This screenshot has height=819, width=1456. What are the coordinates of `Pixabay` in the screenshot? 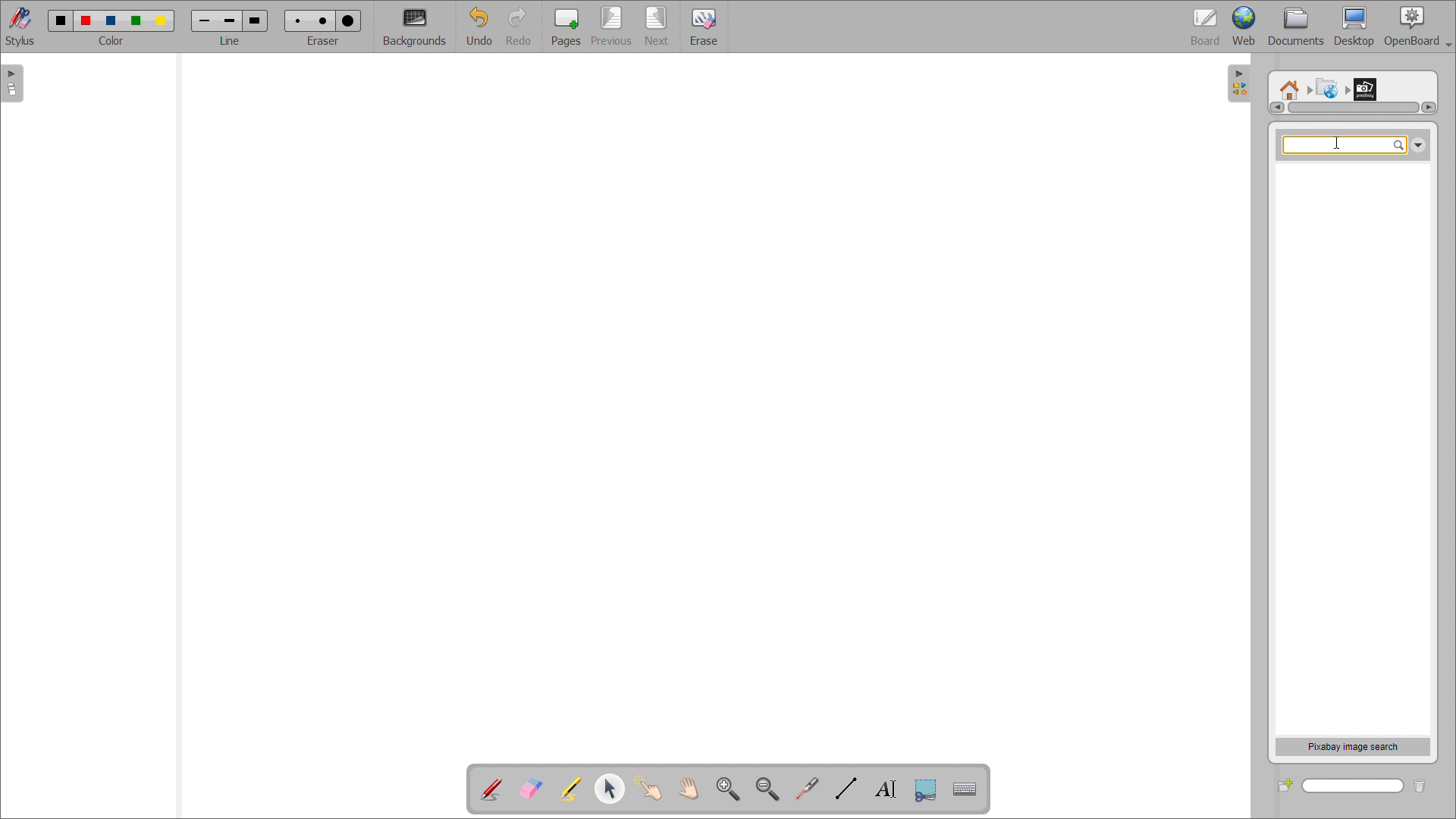 It's located at (1369, 86).